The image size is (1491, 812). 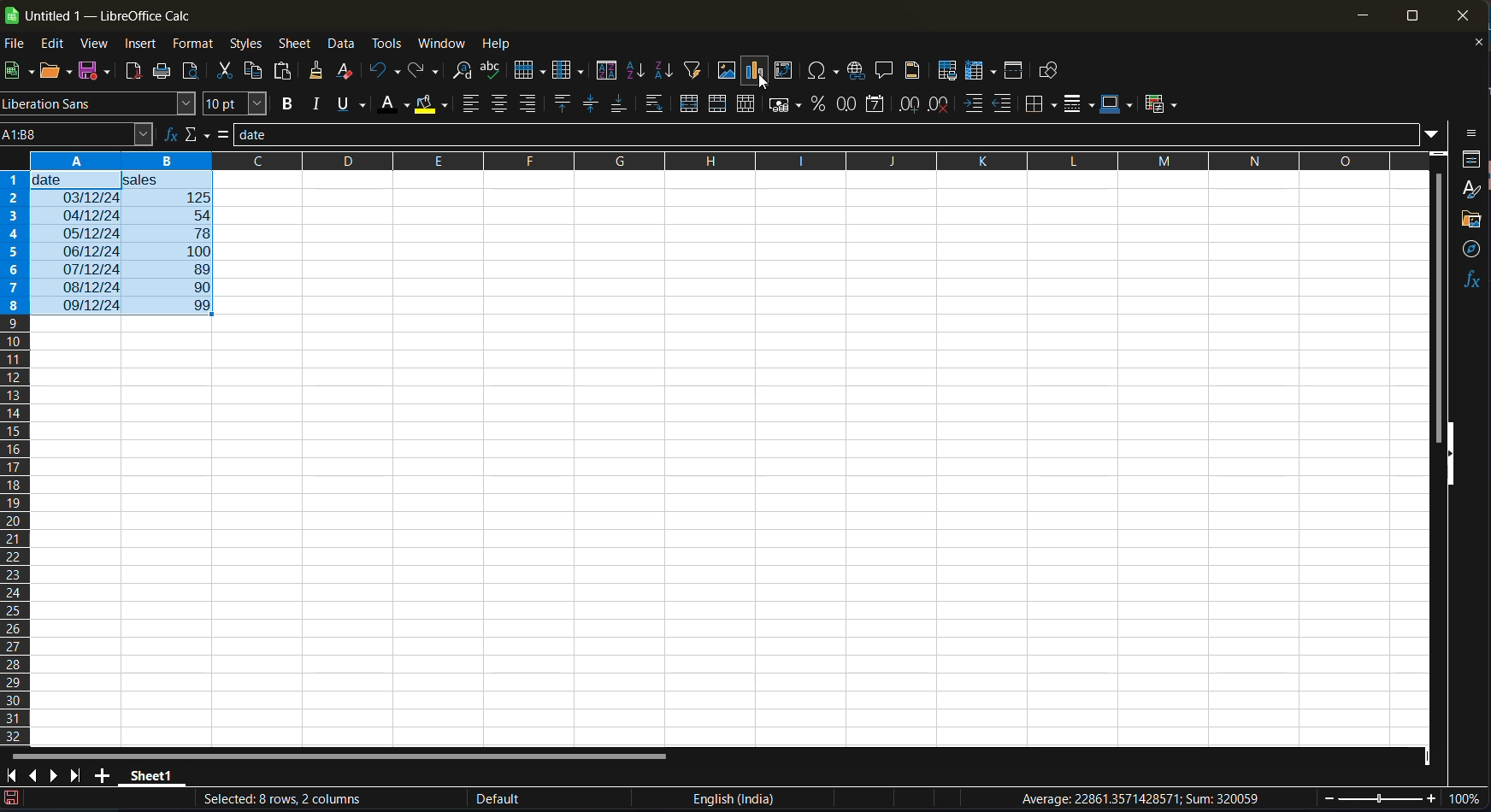 What do you see at coordinates (290, 104) in the screenshot?
I see `bold` at bounding box center [290, 104].